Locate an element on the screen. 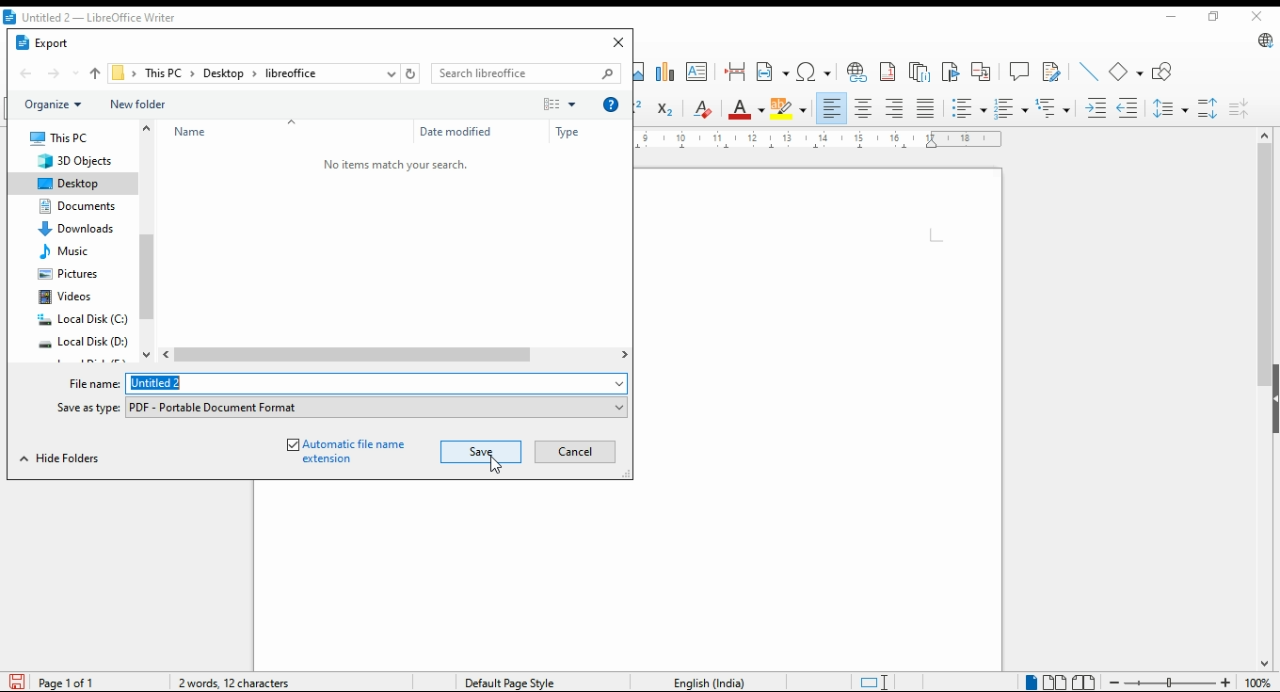  increase paragraph spacing is located at coordinates (1208, 106).